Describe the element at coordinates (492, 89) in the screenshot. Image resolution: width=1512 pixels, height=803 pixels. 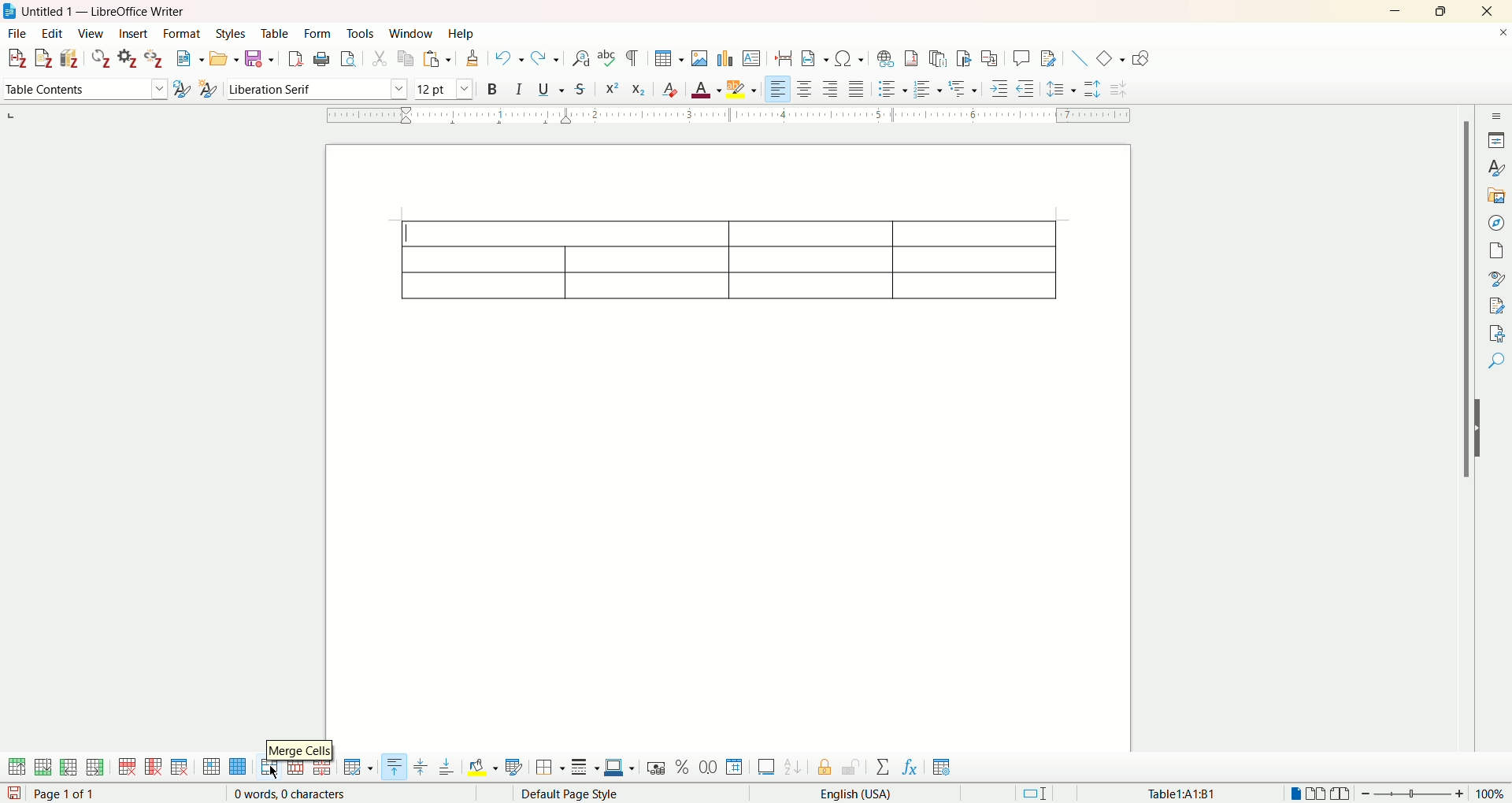
I see `bold` at that location.